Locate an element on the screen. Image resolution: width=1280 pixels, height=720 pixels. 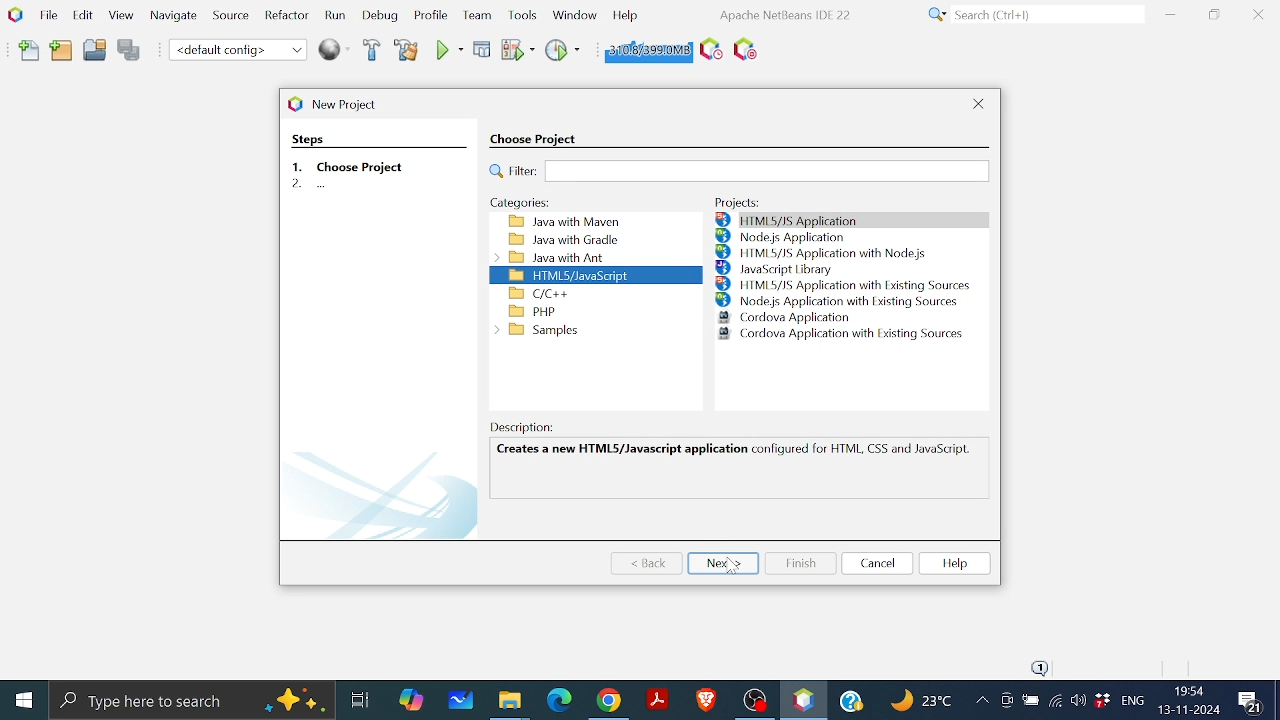
current window  is located at coordinates (344, 103).